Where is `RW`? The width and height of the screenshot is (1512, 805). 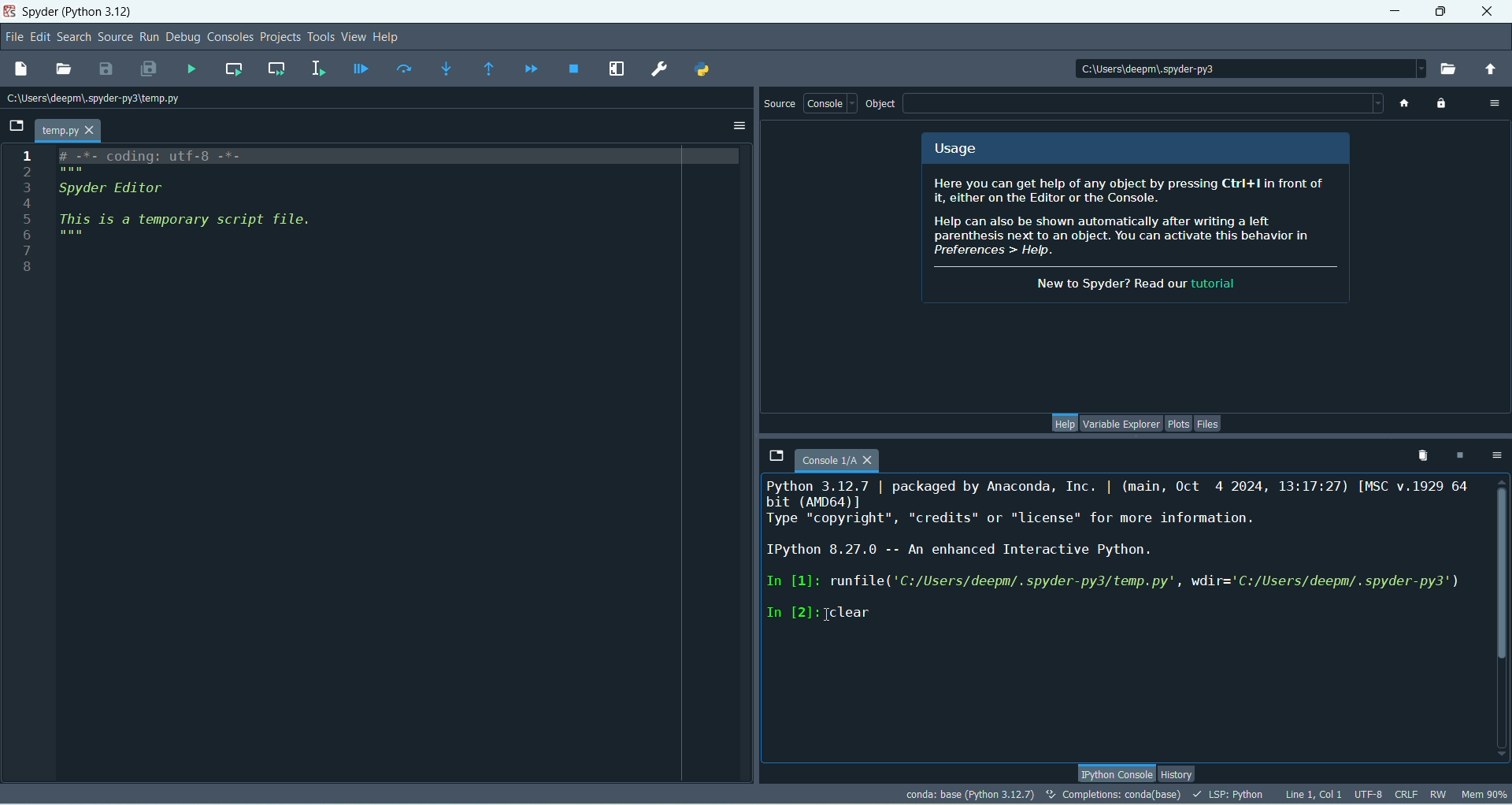
RW is located at coordinates (1440, 795).